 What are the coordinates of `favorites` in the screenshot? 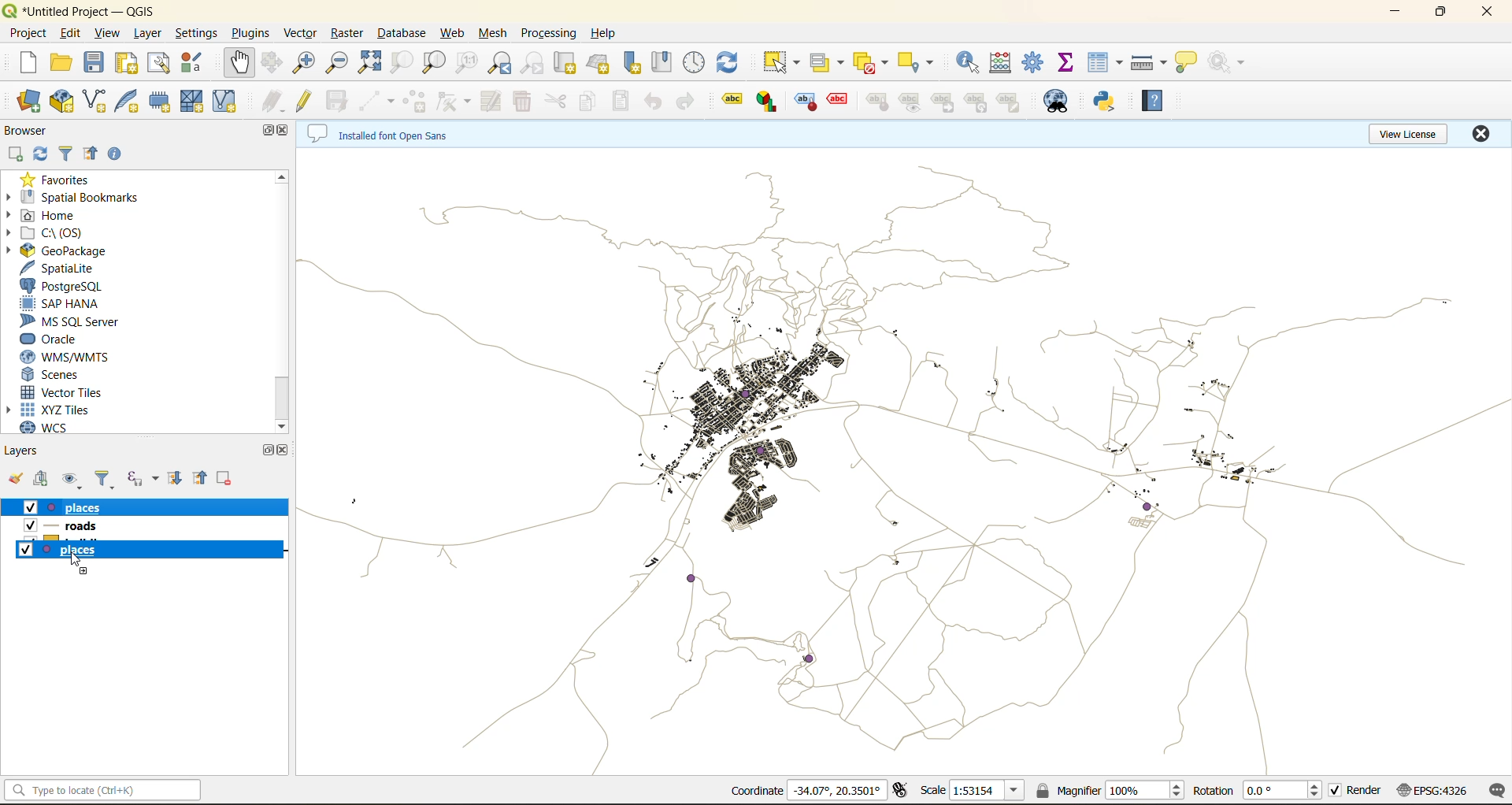 It's located at (61, 177).